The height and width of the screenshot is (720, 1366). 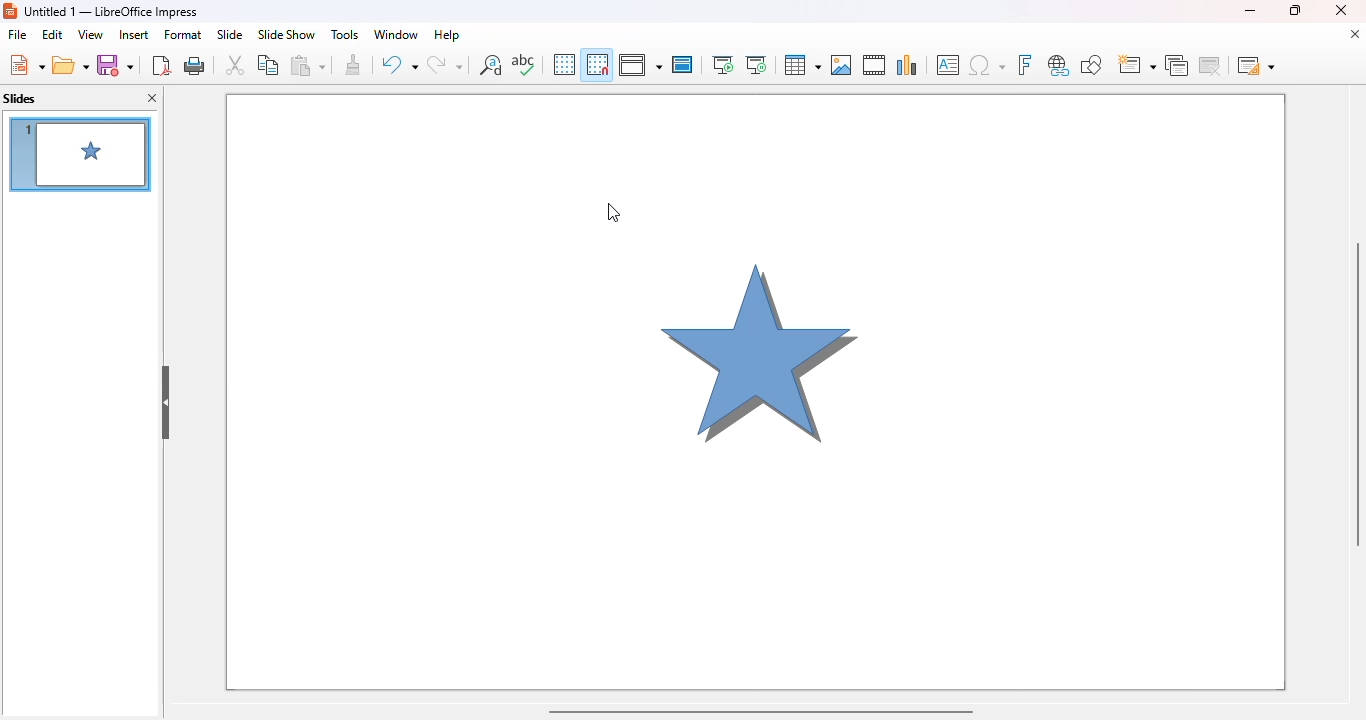 What do you see at coordinates (18, 34) in the screenshot?
I see `file` at bounding box center [18, 34].